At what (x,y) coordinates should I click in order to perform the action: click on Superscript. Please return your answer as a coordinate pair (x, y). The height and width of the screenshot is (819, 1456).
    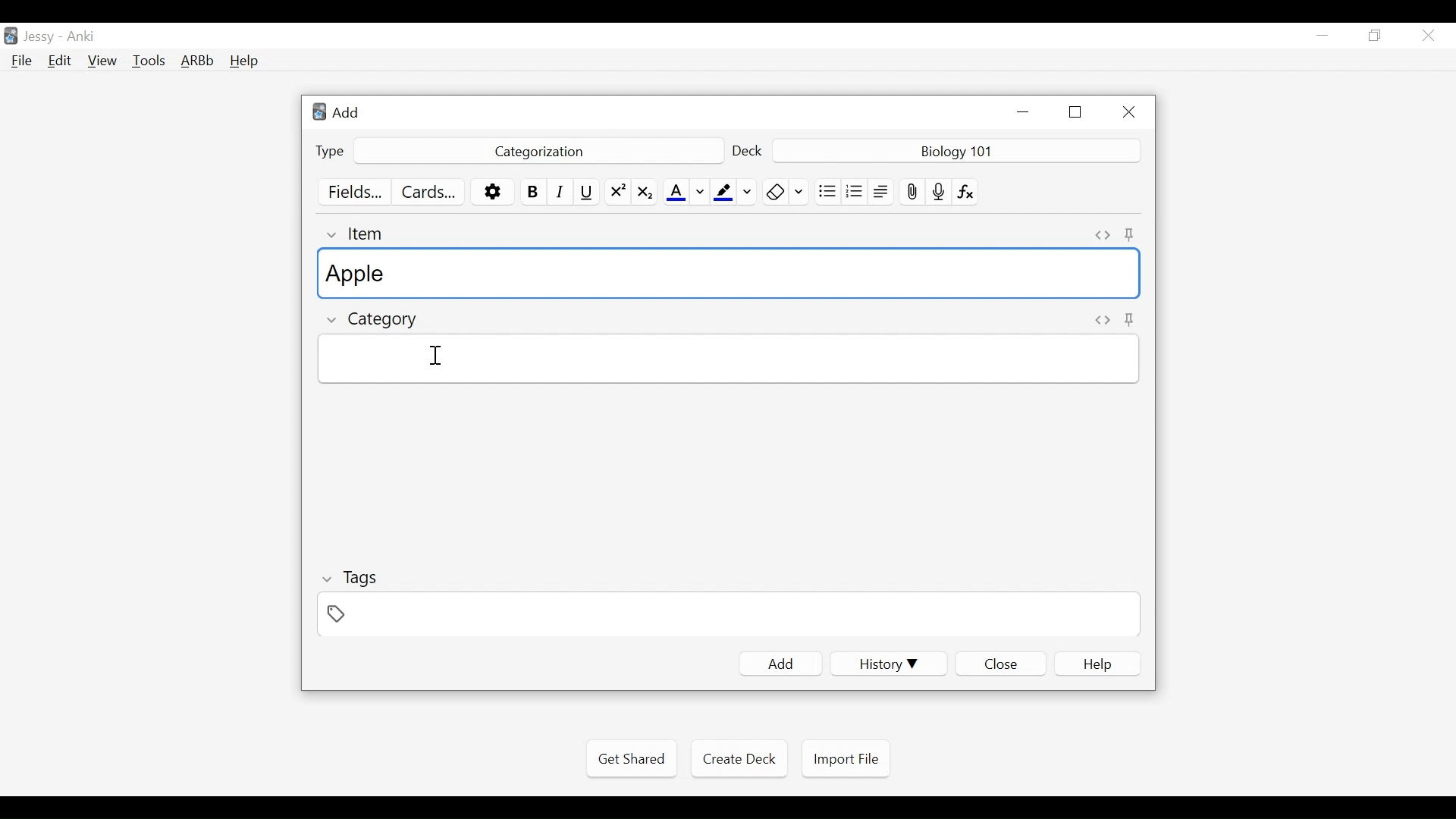
    Looking at the image, I should click on (617, 192).